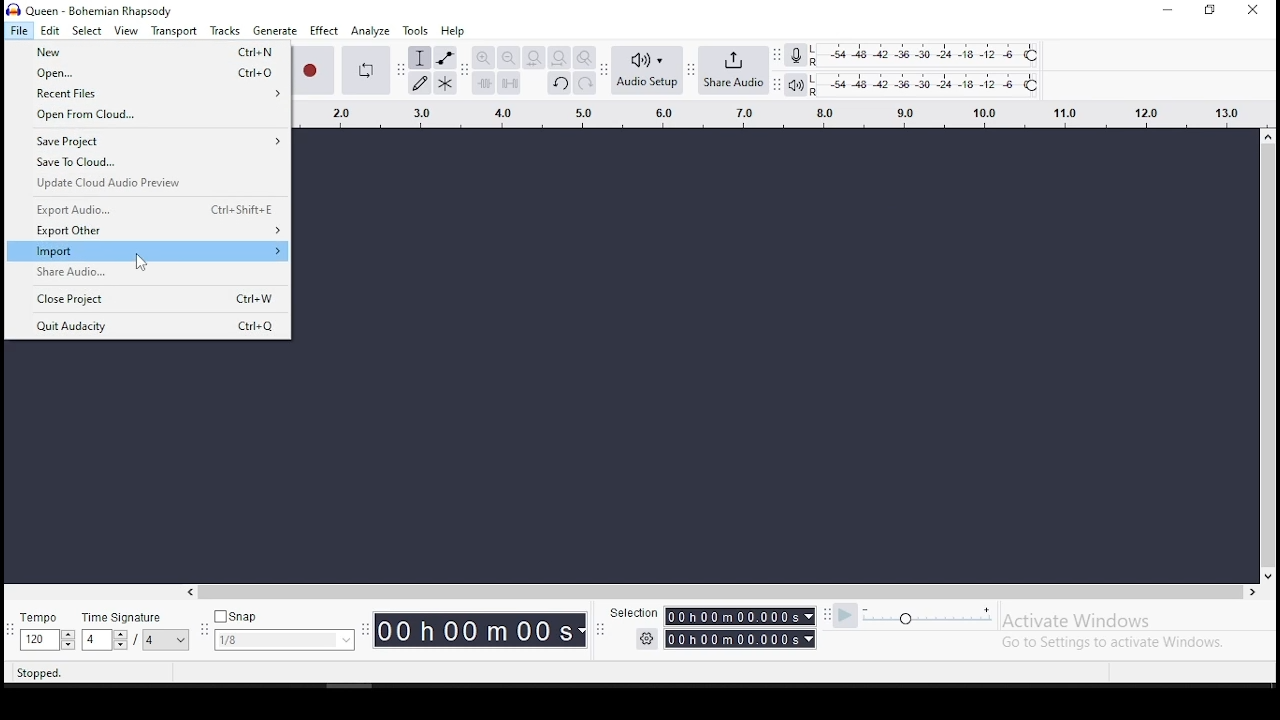  Describe the element at coordinates (585, 84) in the screenshot. I see `redo` at that location.